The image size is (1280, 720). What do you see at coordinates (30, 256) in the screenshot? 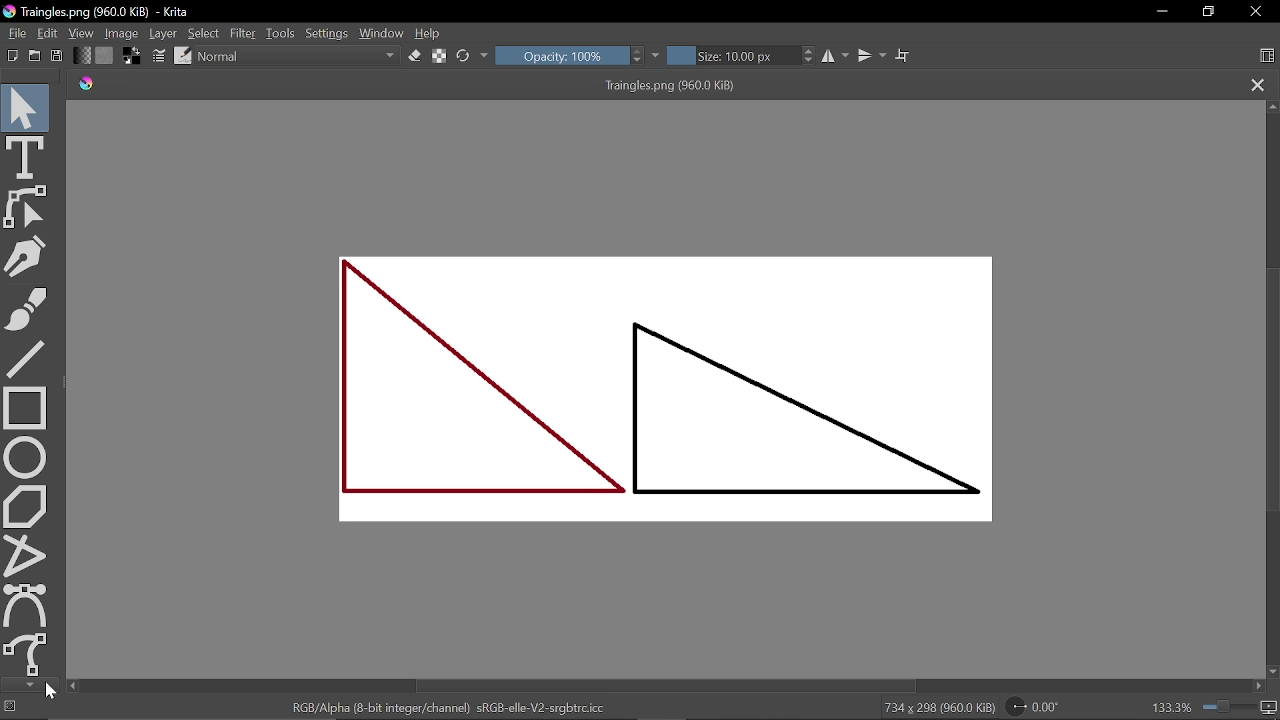
I see `Freehand tool` at bounding box center [30, 256].